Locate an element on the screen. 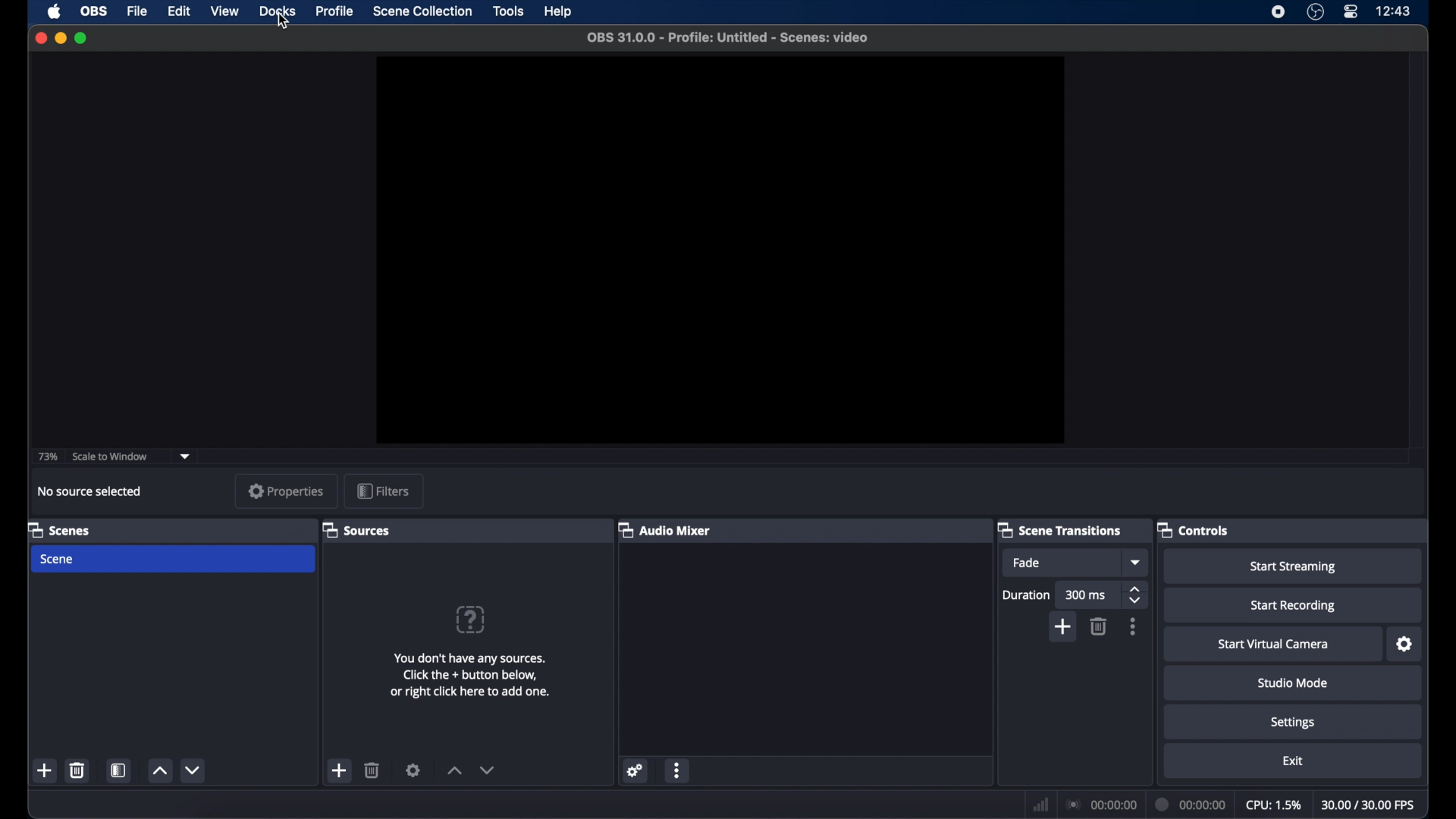 Image resolution: width=1456 pixels, height=819 pixels. studio mode is located at coordinates (1292, 683).